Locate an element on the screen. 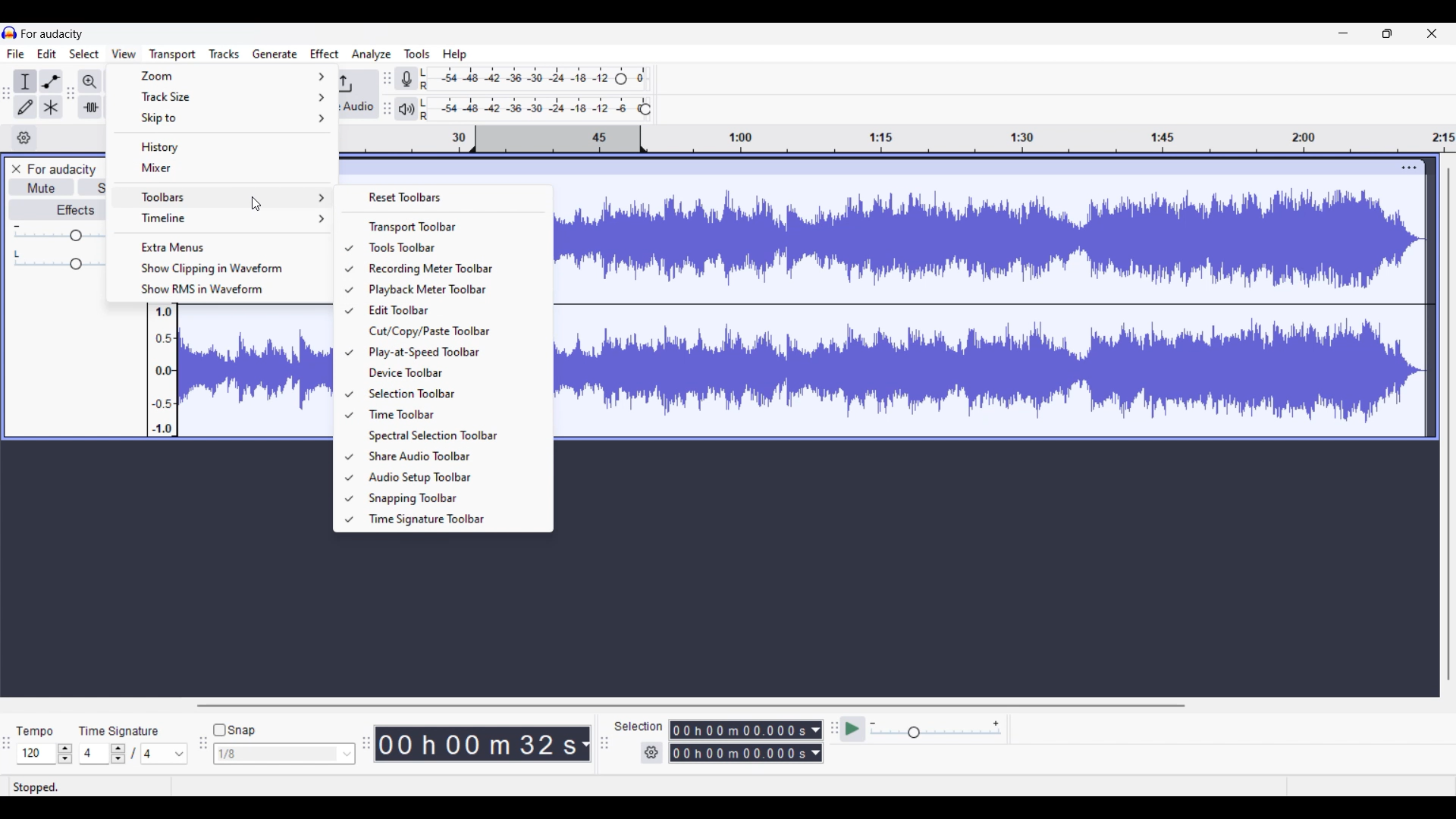 This screenshot has height=819, width=1456. Current timestamp of track is located at coordinates (476, 743).